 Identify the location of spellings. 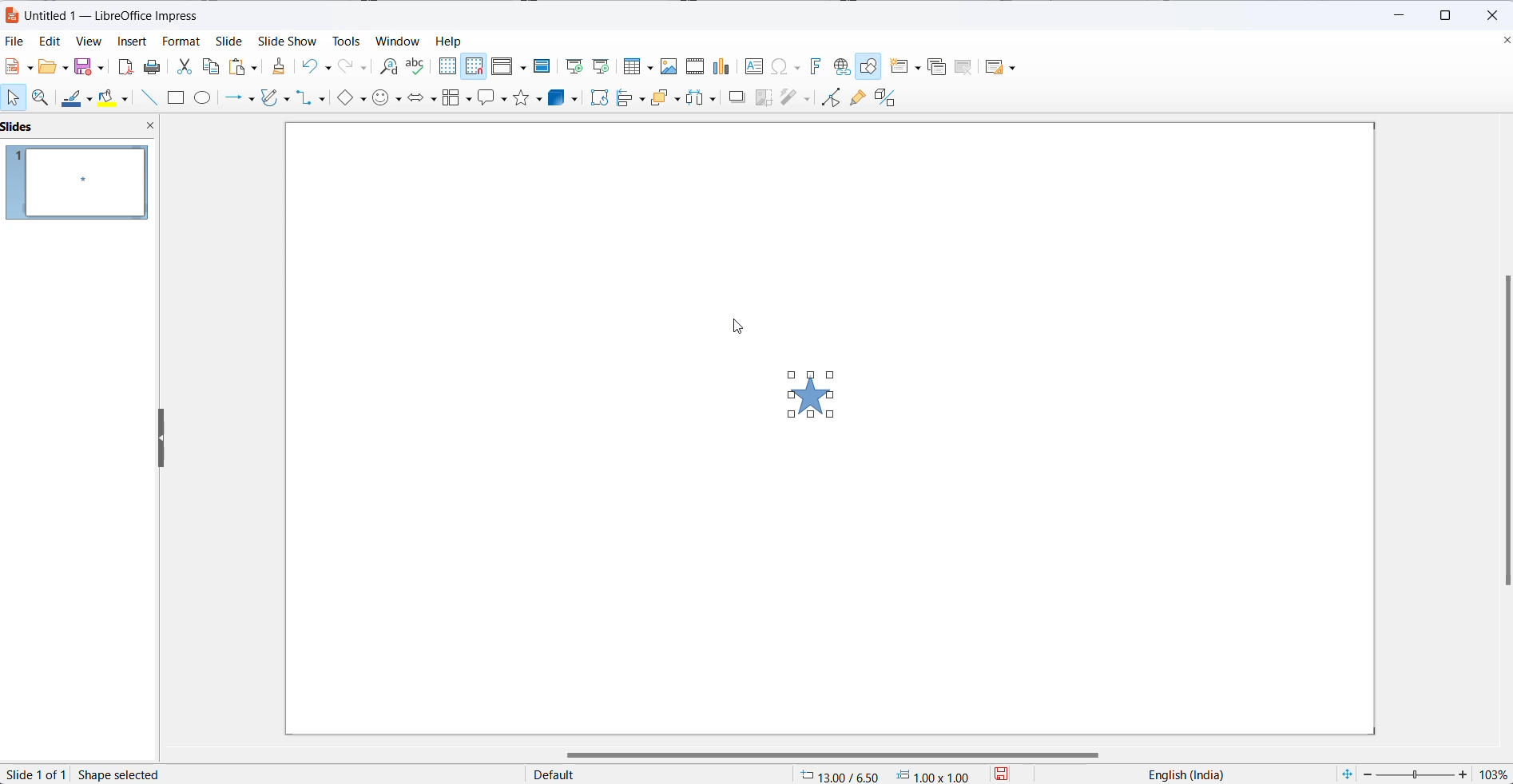
(417, 66).